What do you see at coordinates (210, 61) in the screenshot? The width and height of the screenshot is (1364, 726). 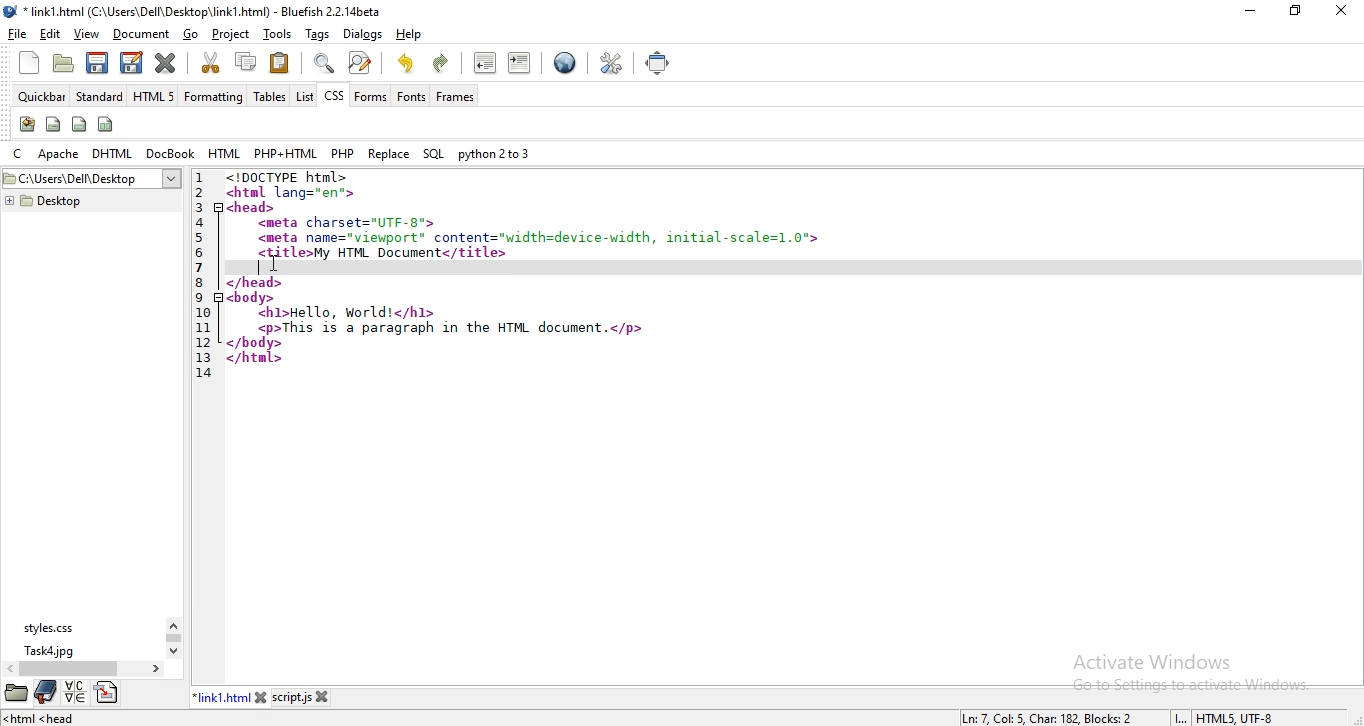 I see `cut` at bounding box center [210, 61].